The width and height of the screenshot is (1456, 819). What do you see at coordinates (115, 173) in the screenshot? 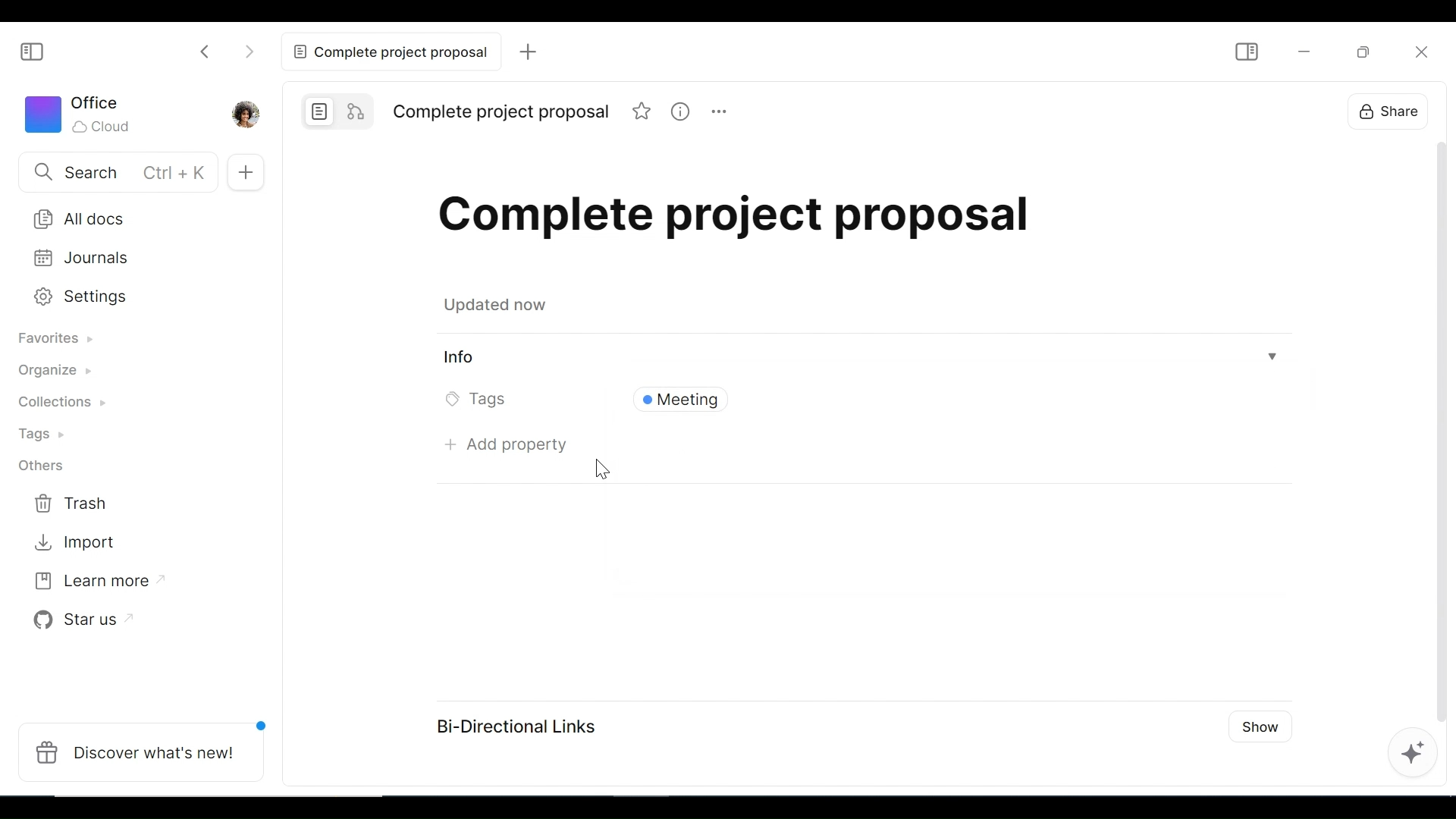
I see `Search` at bounding box center [115, 173].